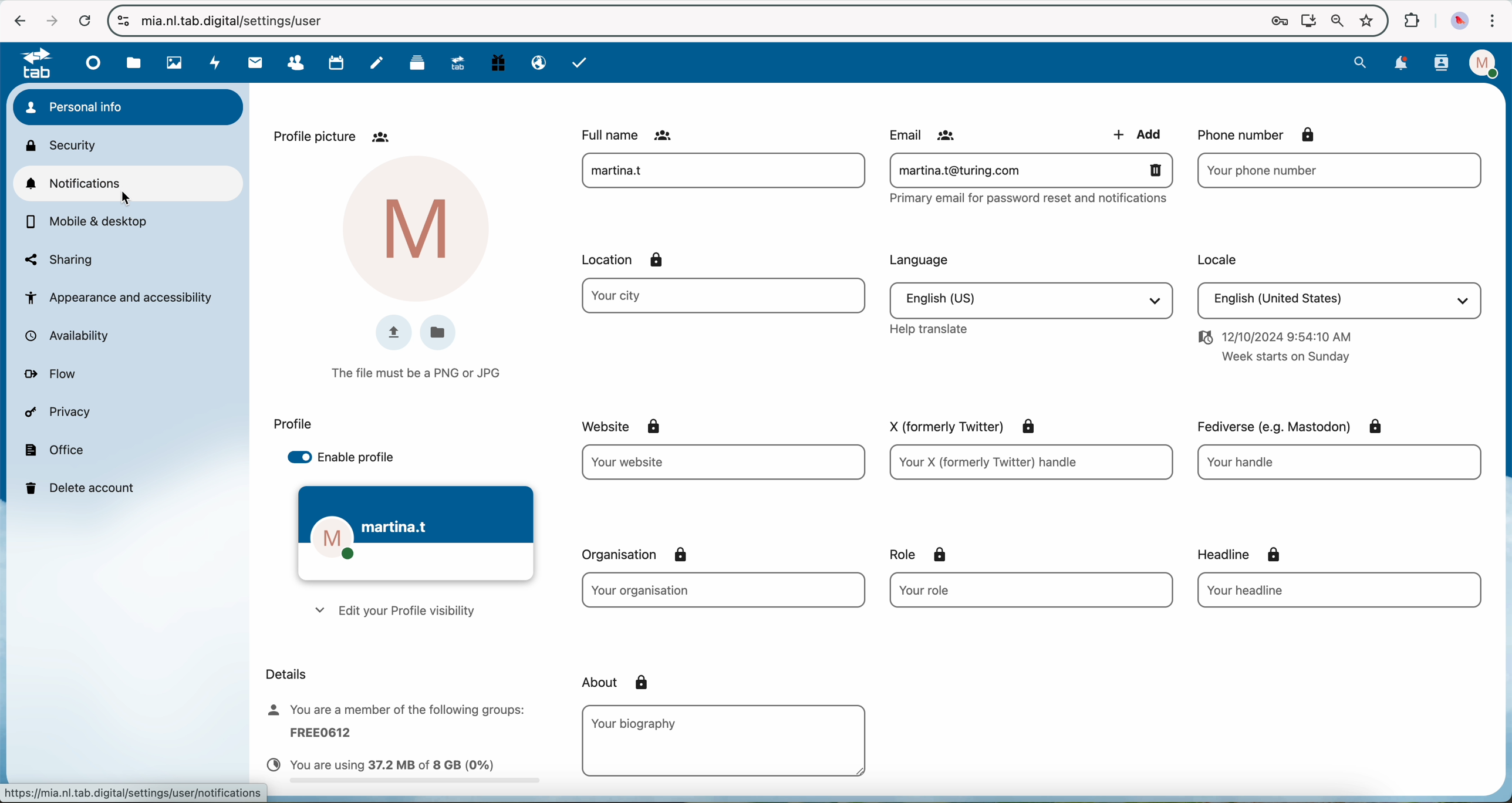 Image resolution: width=1512 pixels, height=803 pixels. I want to click on search, so click(1362, 62).